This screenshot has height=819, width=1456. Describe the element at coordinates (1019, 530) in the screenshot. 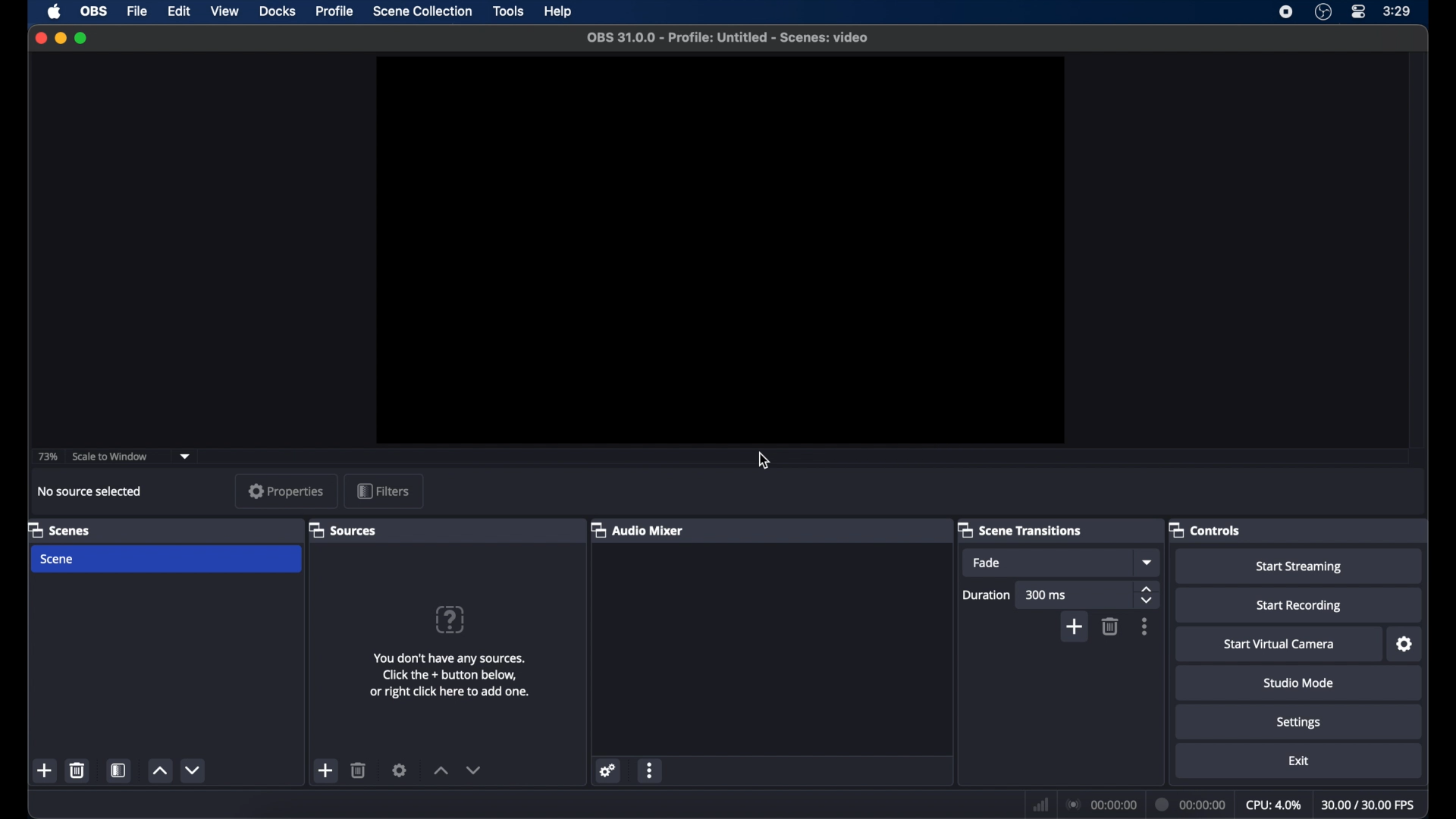

I see `scene transitions` at that location.